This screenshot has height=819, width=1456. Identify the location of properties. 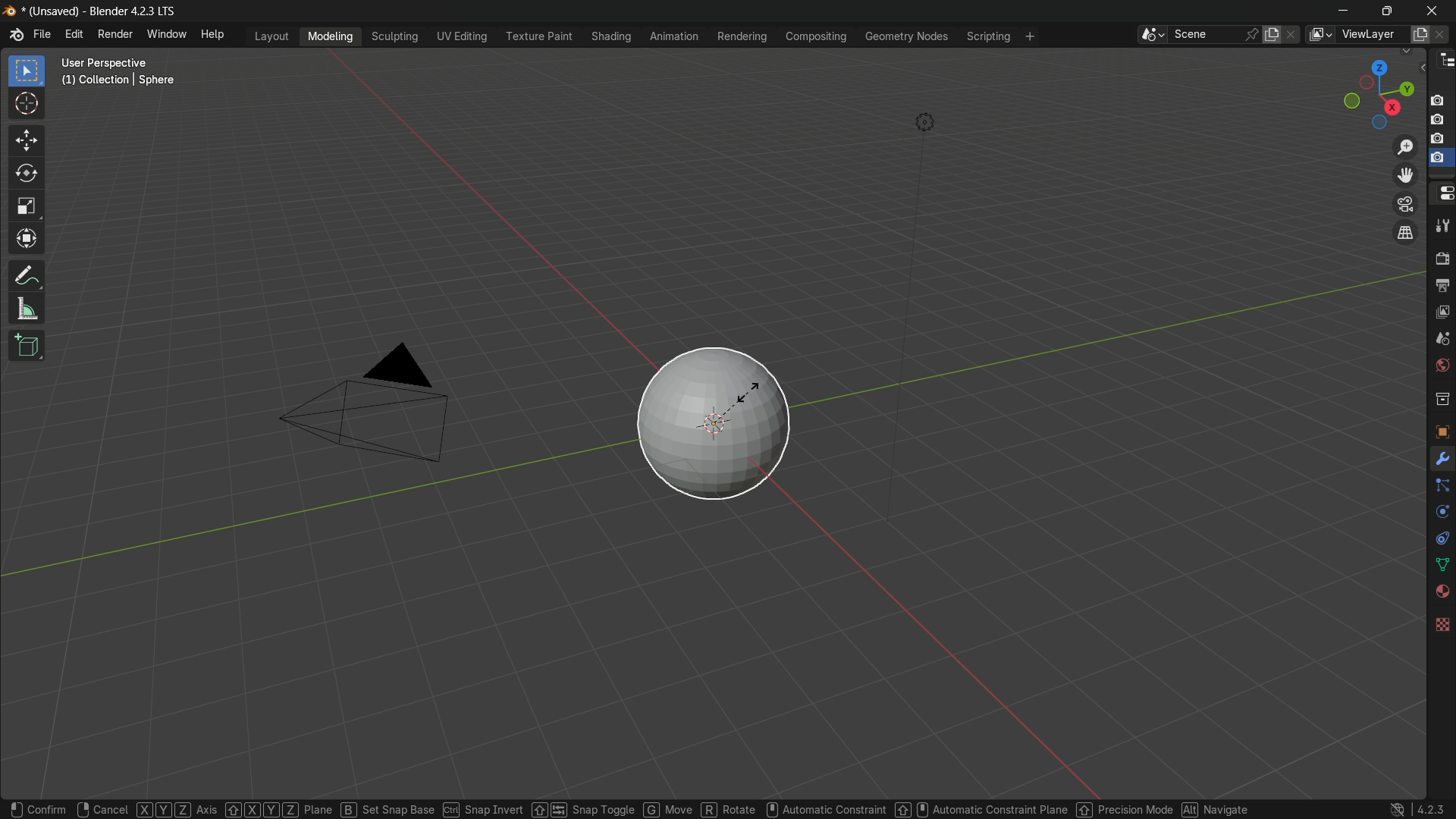
(1442, 194).